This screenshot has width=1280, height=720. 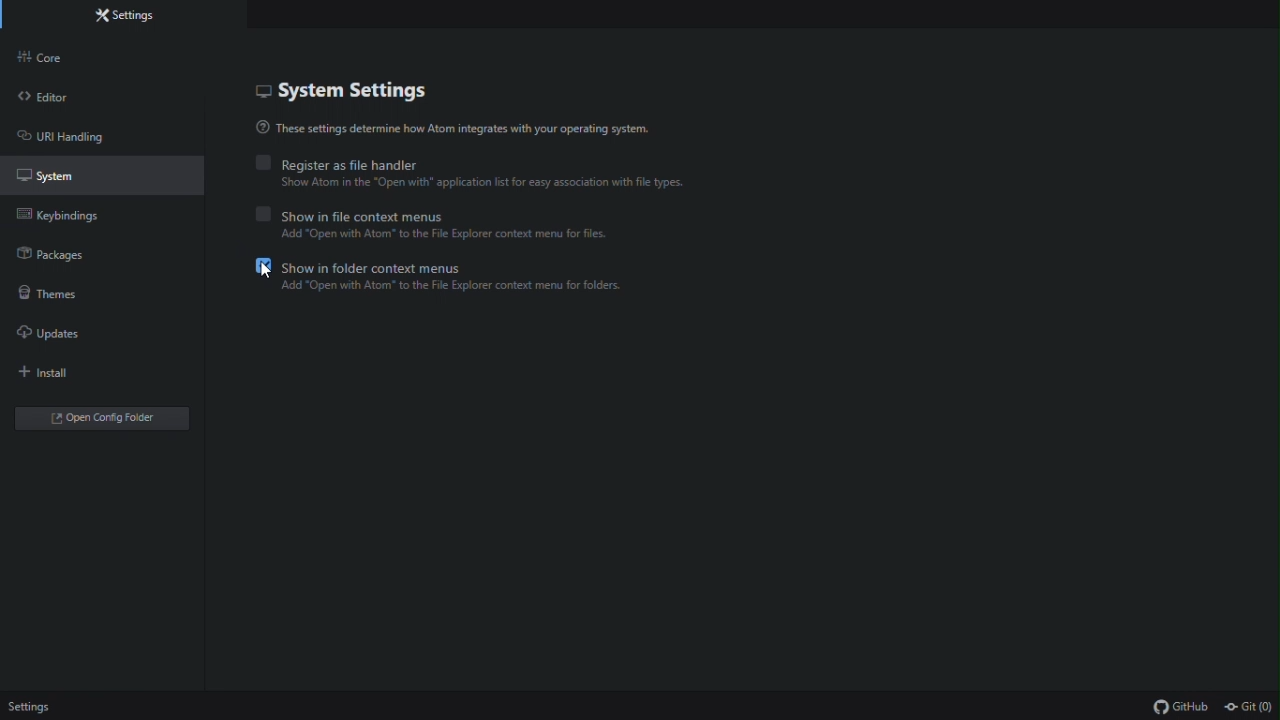 What do you see at coordinates (106, 293) in the screenshot?
I see `Themes` at bounding box center [106, 293].